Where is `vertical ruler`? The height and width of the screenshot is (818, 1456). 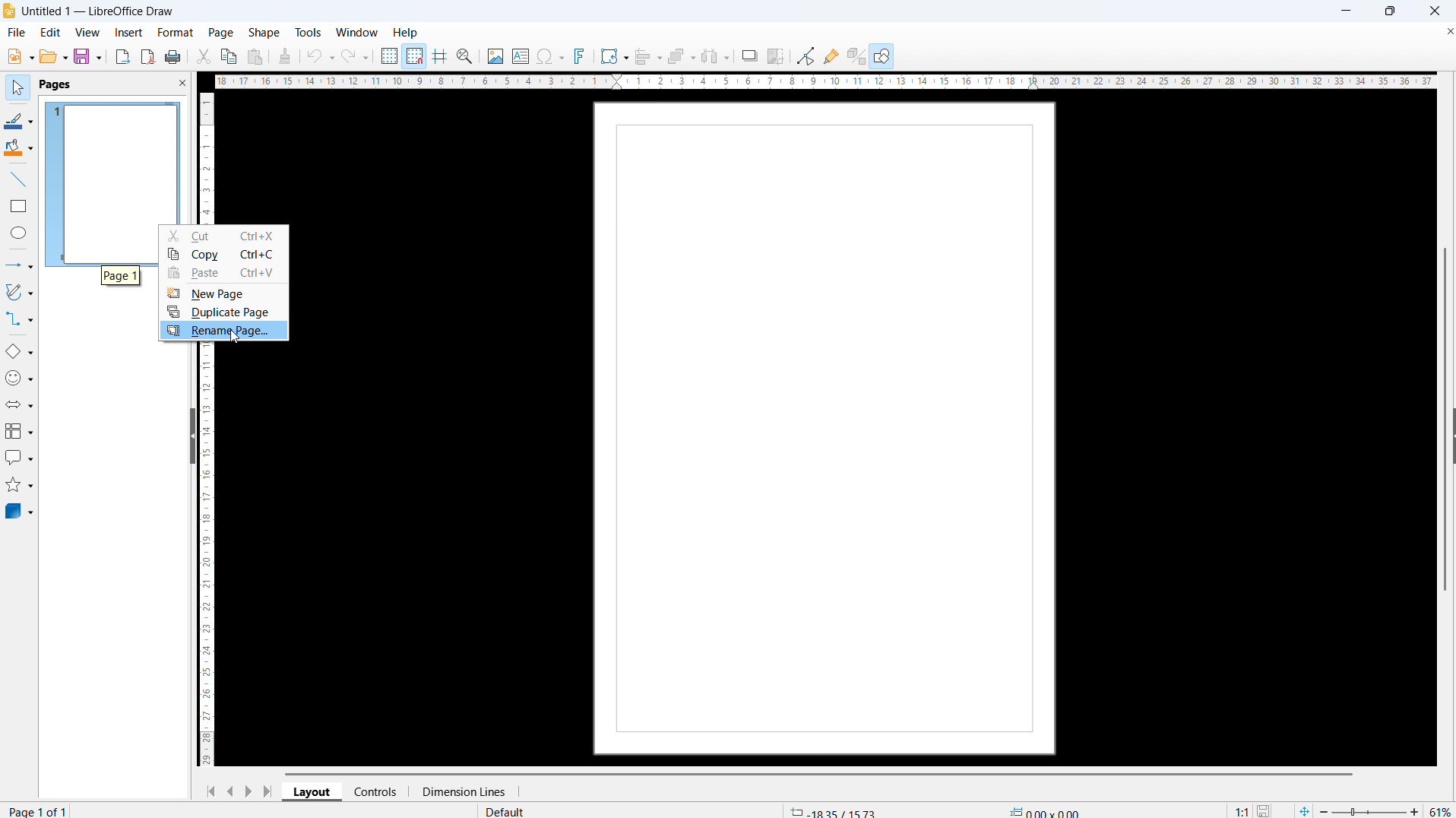 vertical ruler is located at coordinates (209, 558).